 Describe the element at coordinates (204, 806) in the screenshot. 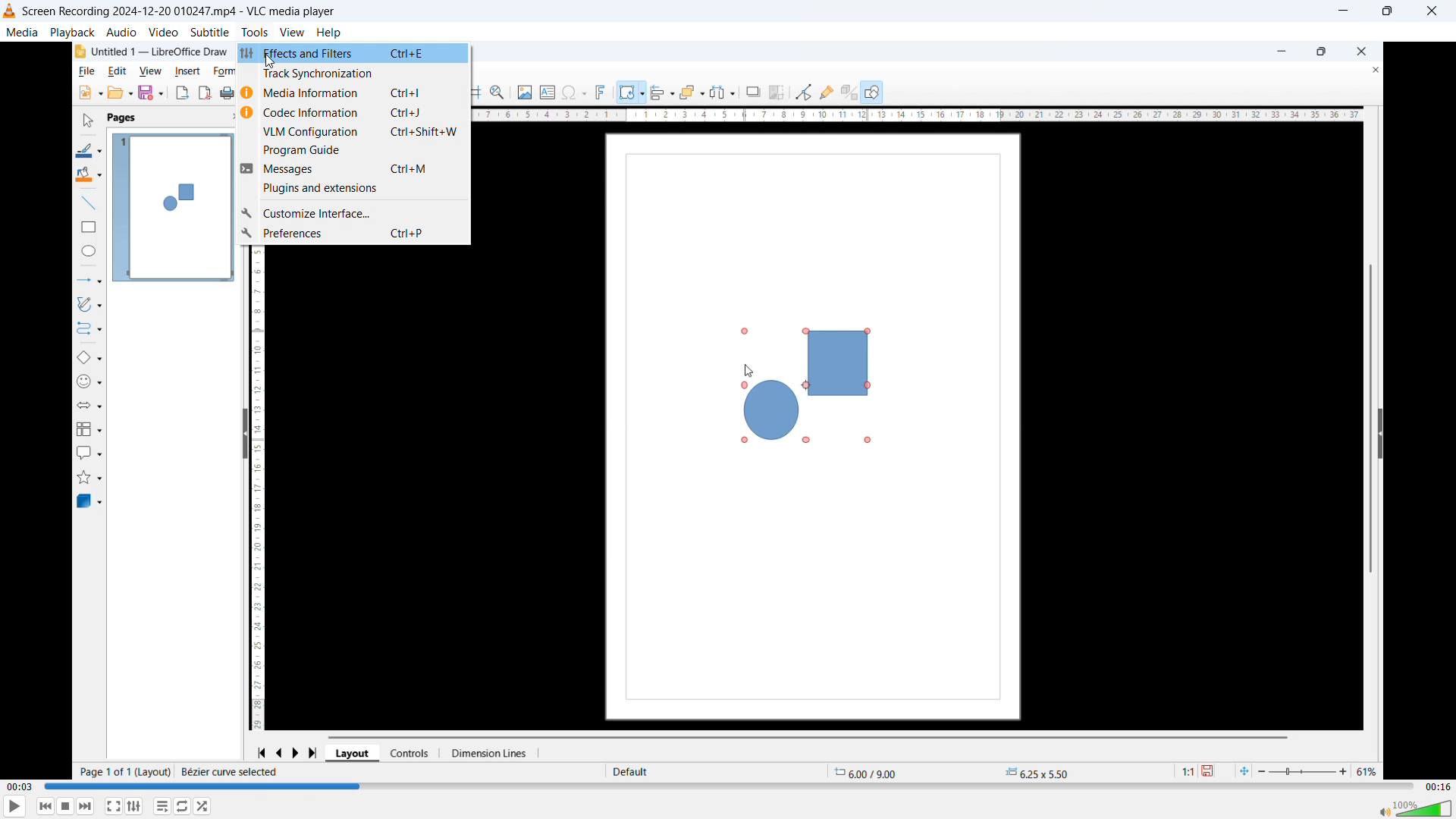

I see `random` at that location.